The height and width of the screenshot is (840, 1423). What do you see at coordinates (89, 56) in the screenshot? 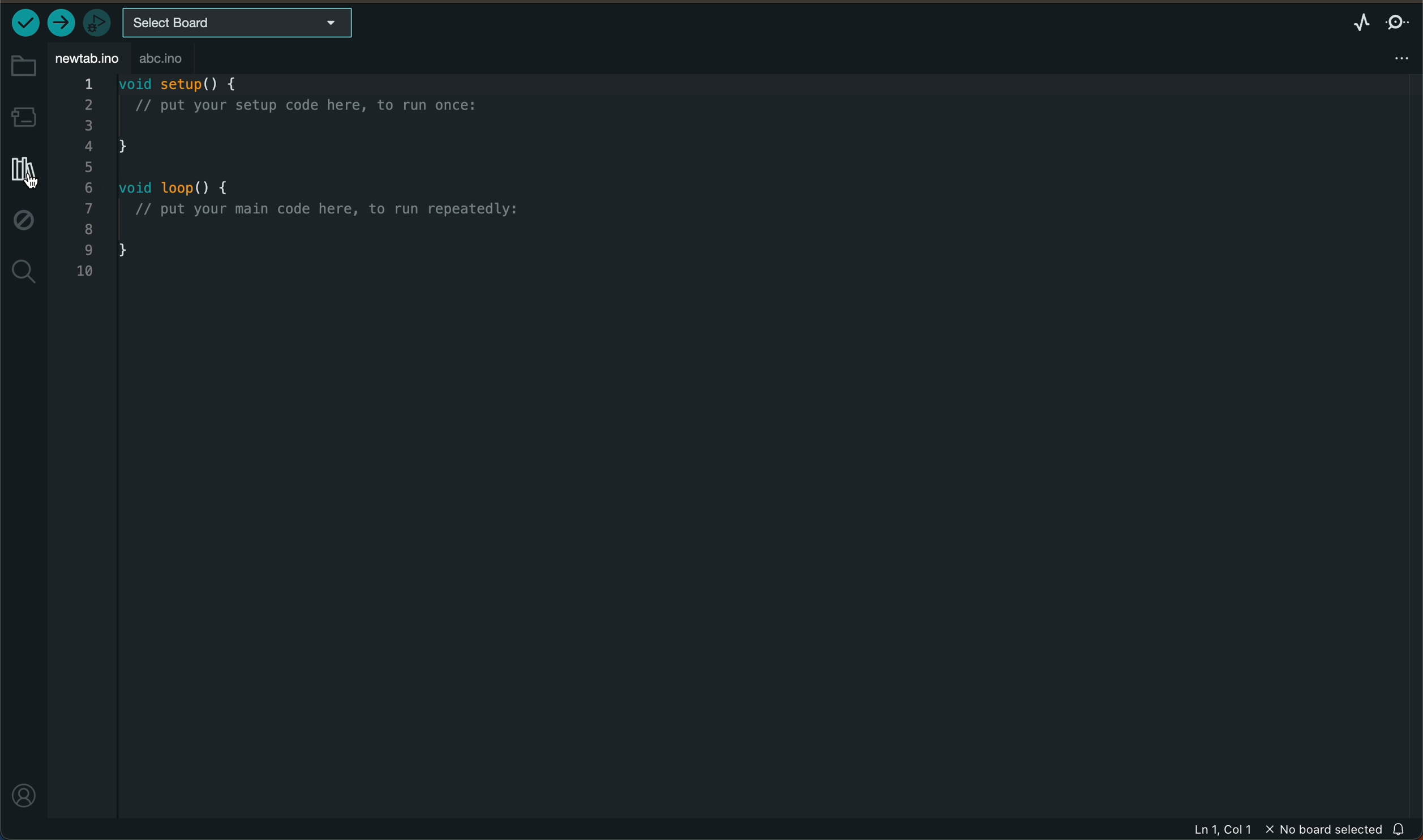
I see `file tab` at bounding box center [89, 56].